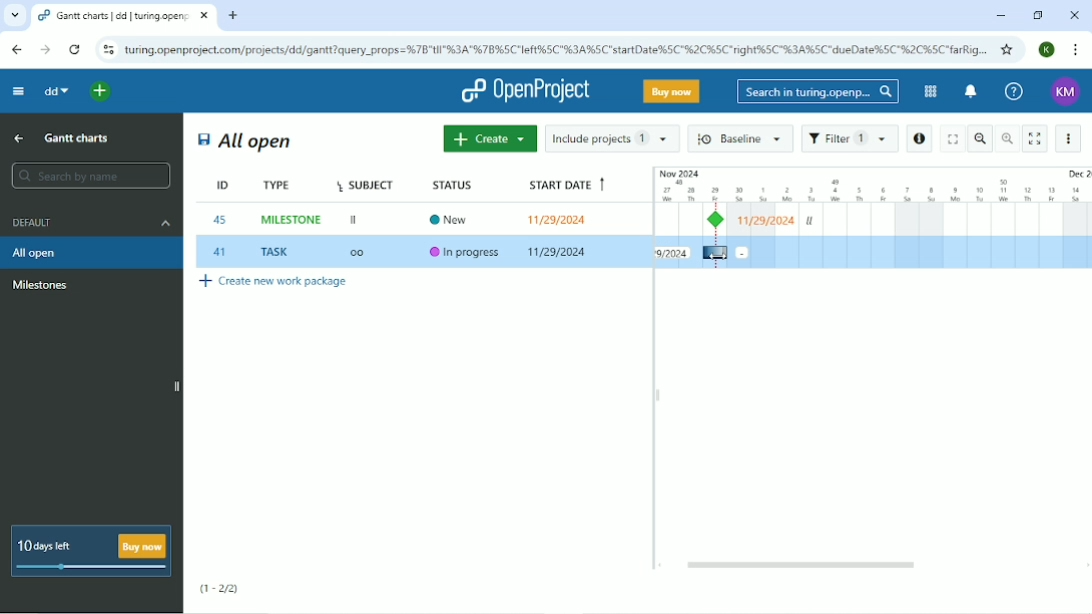 This screenshot has width=1092, height=614. Describe the element at coordinates (54, 90) in the screenshot. I see `dd` at that location.